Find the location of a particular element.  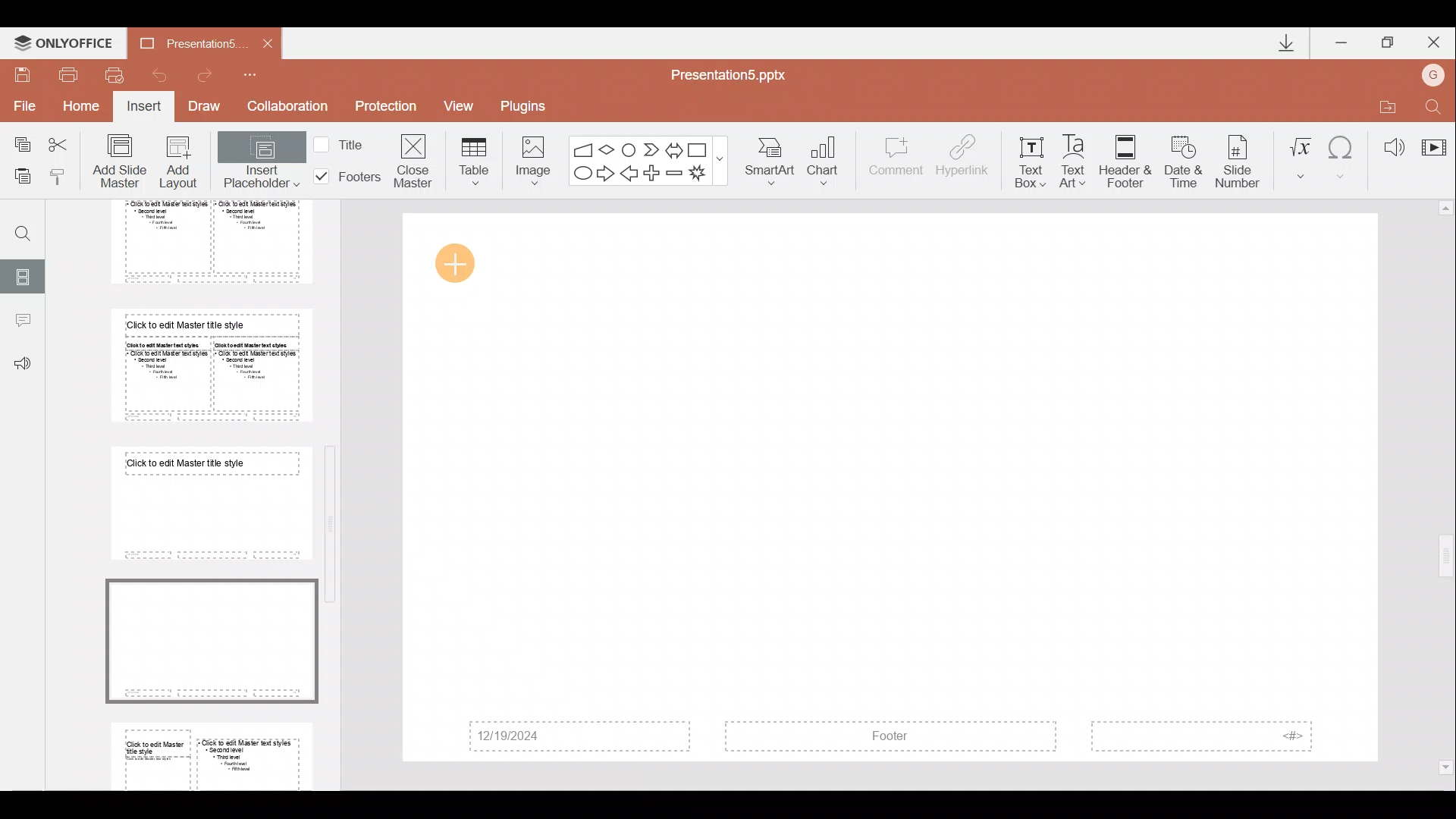

Open file location is located at coordinates (1384, 104).